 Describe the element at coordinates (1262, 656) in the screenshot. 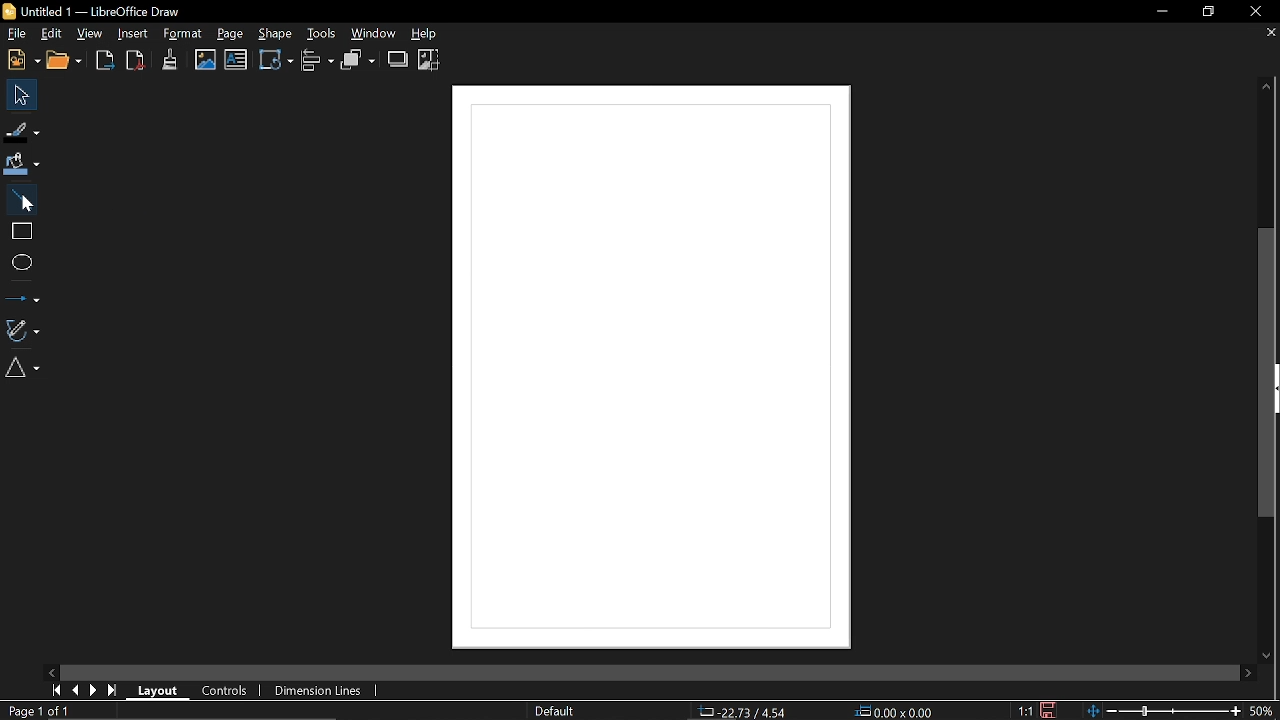

I see `Move down` at that location.